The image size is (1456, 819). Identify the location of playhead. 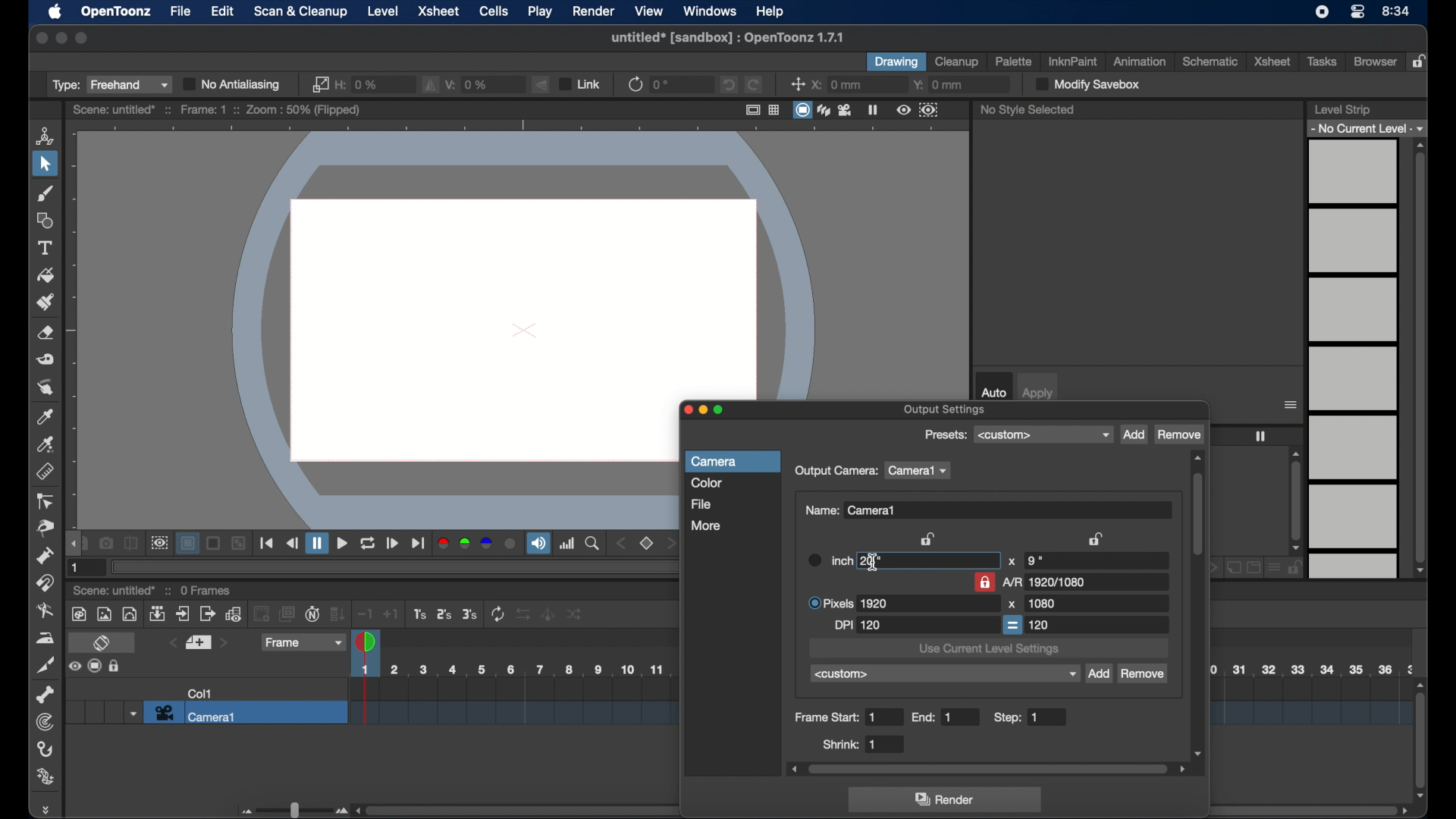
(367, 641).